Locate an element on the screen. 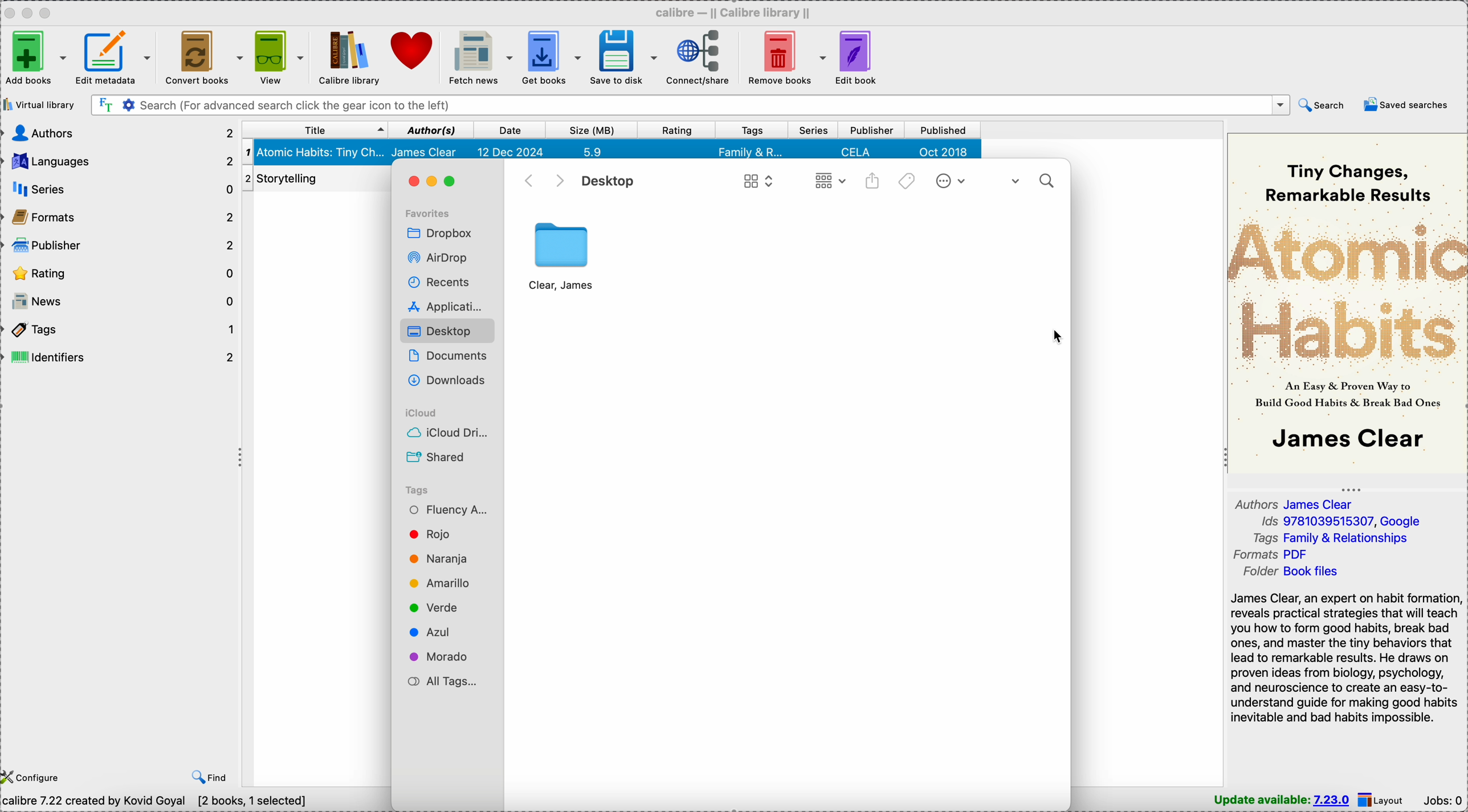 This screenshot has width=1468, height=812. size is located at coordinates (589, 130).